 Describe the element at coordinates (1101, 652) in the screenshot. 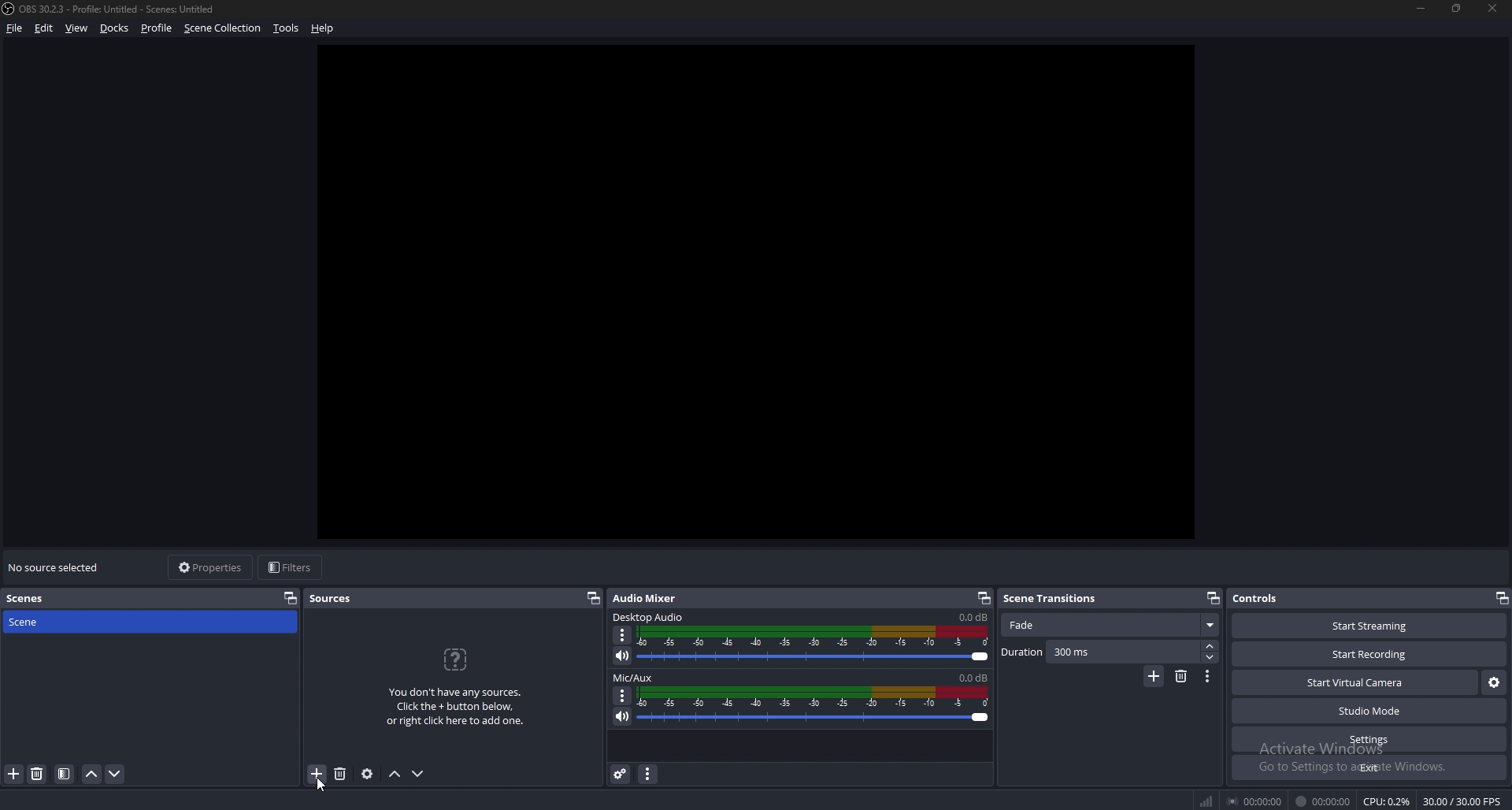

I see `Duration` at that location.